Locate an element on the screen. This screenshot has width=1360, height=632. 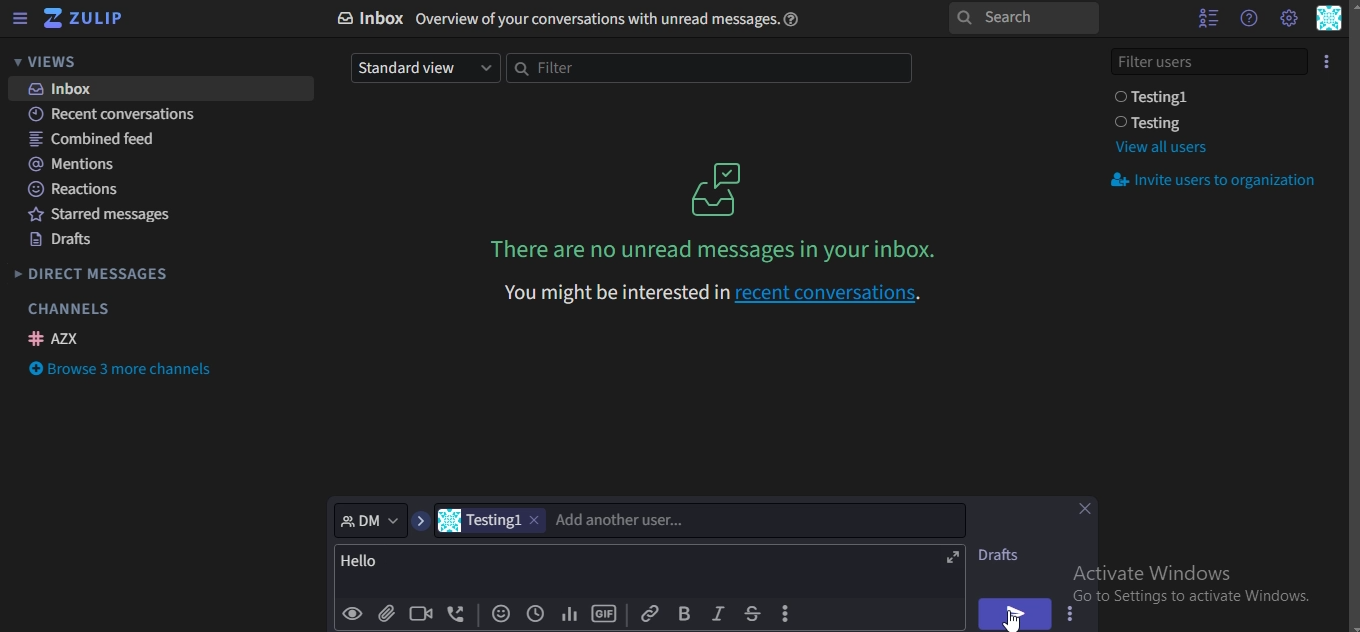
reactions is located at coordinates (76, 189).